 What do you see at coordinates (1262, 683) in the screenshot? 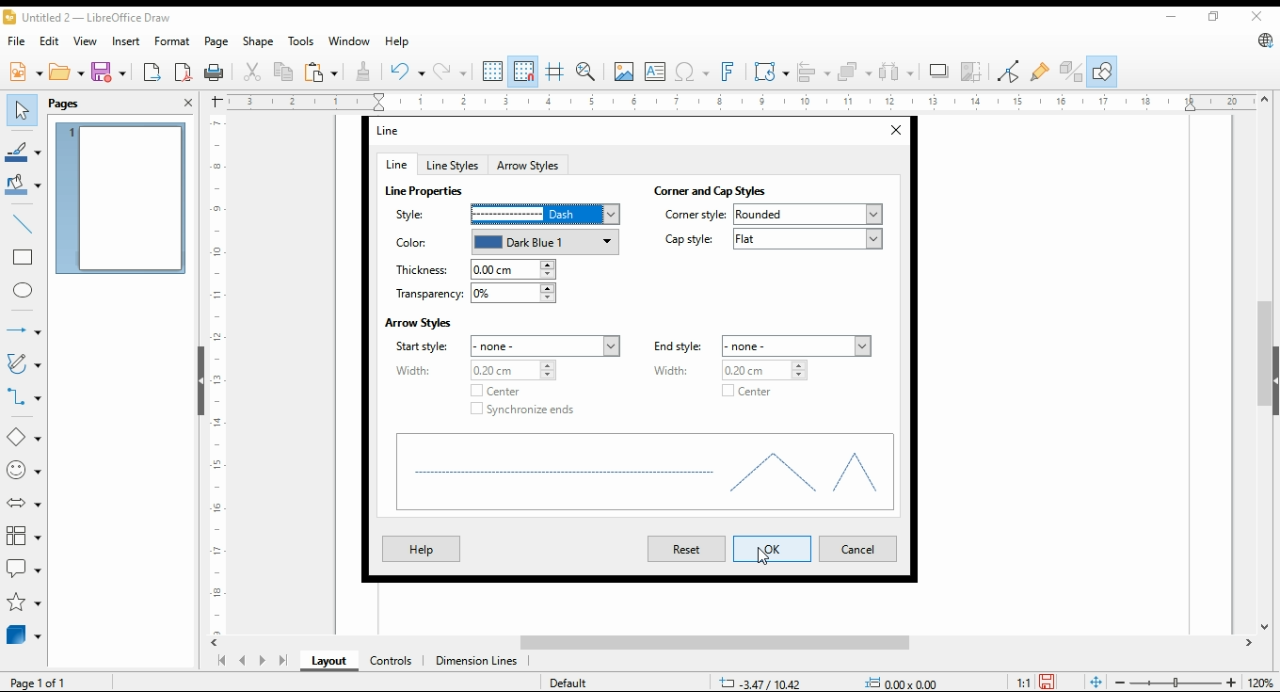
I see `zoom factor` at bounding box center [1262, 683].